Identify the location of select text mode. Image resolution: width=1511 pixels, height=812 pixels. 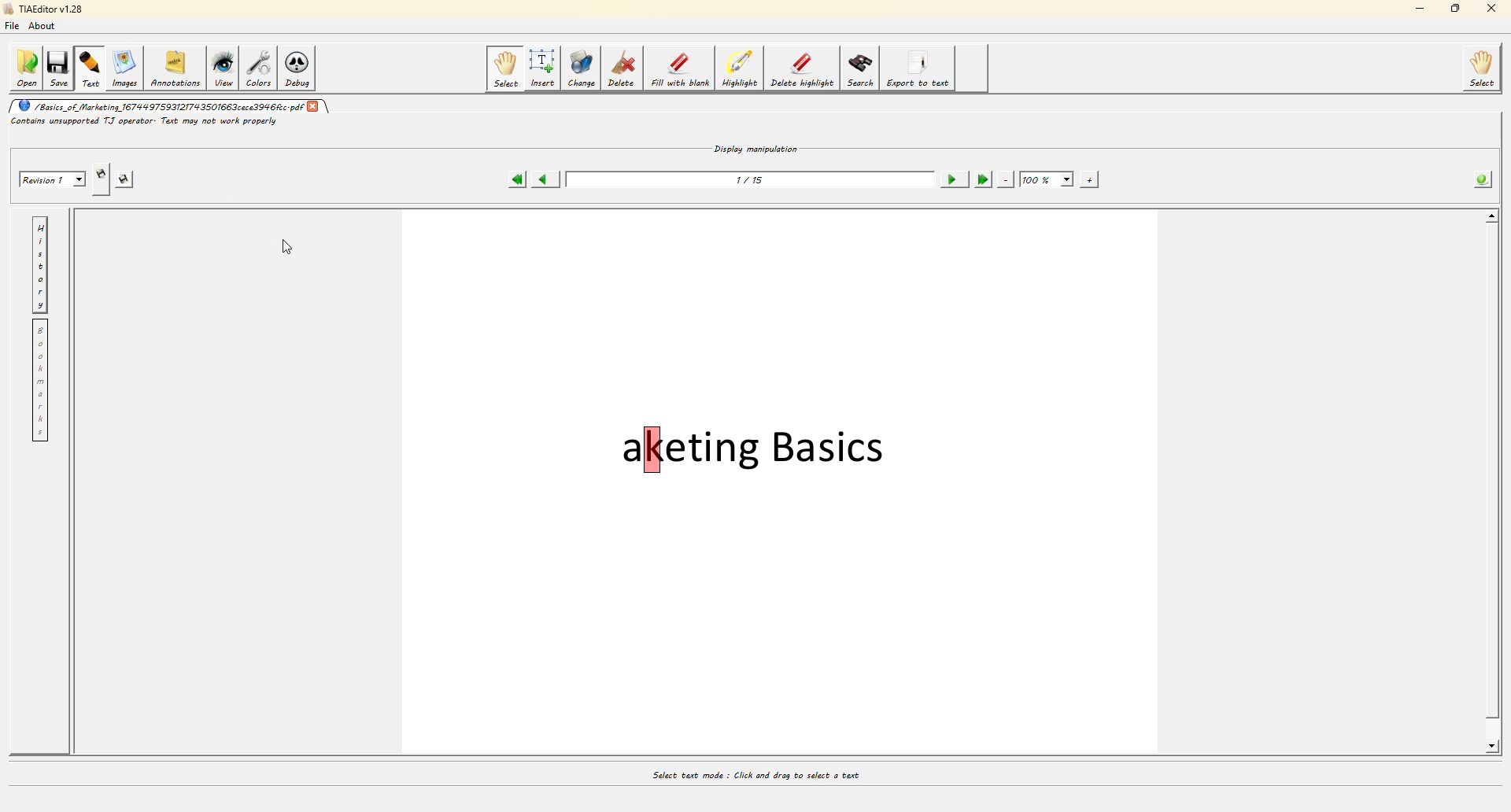
(754, 773).